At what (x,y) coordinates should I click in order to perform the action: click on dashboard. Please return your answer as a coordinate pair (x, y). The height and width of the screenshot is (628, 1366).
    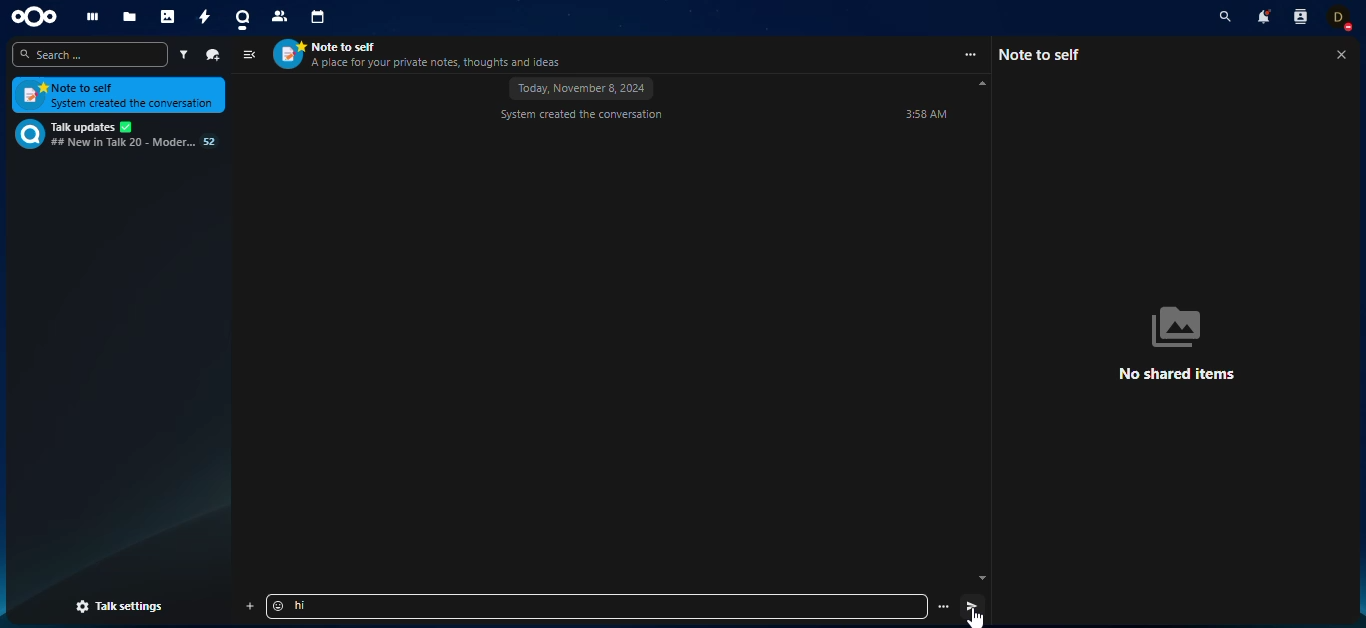
    Looking at the image, I should click on (93, 16).